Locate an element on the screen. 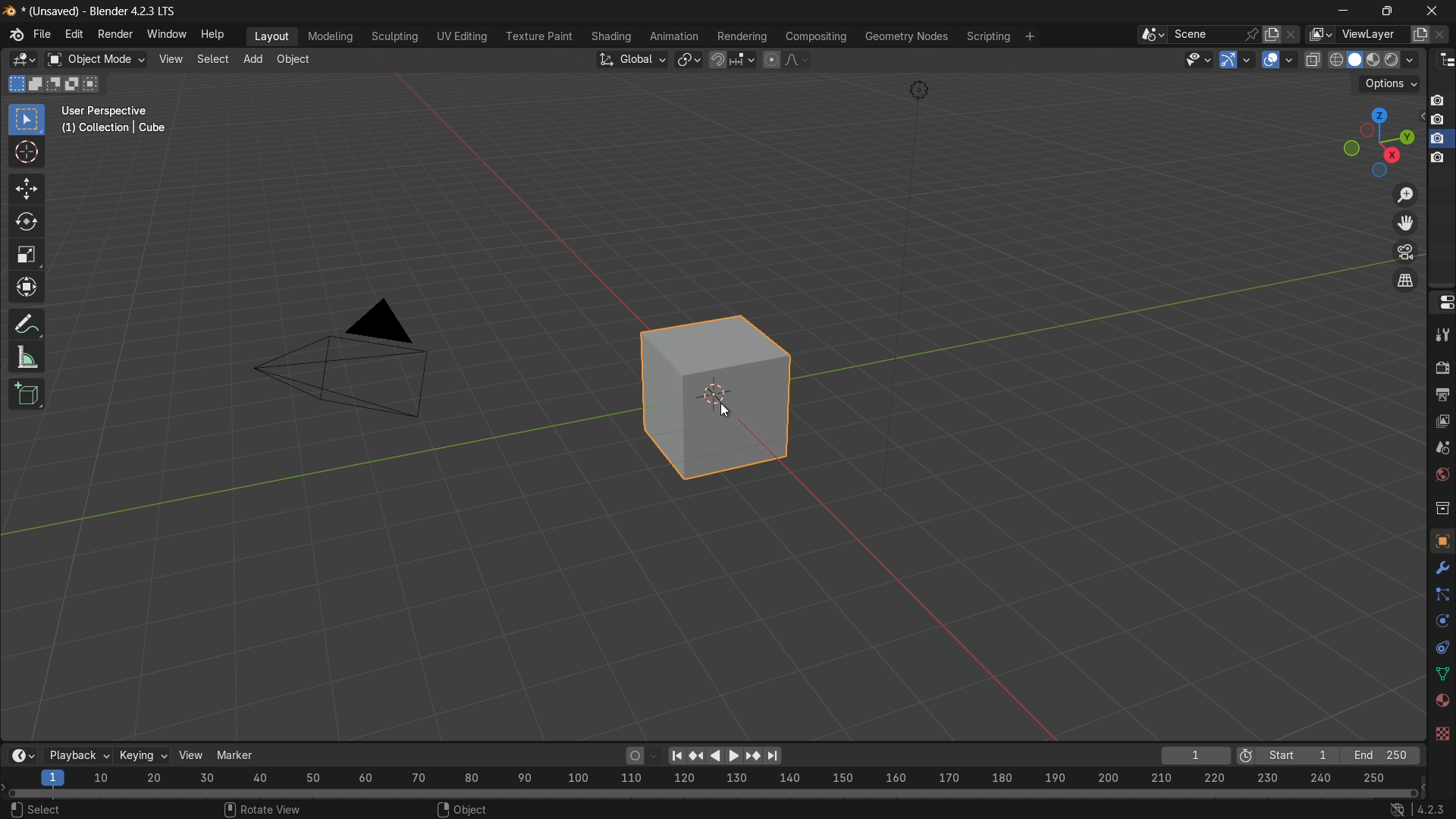 This screenshot has height=819, width=1456. annotate is located at coordinates (23, 325).